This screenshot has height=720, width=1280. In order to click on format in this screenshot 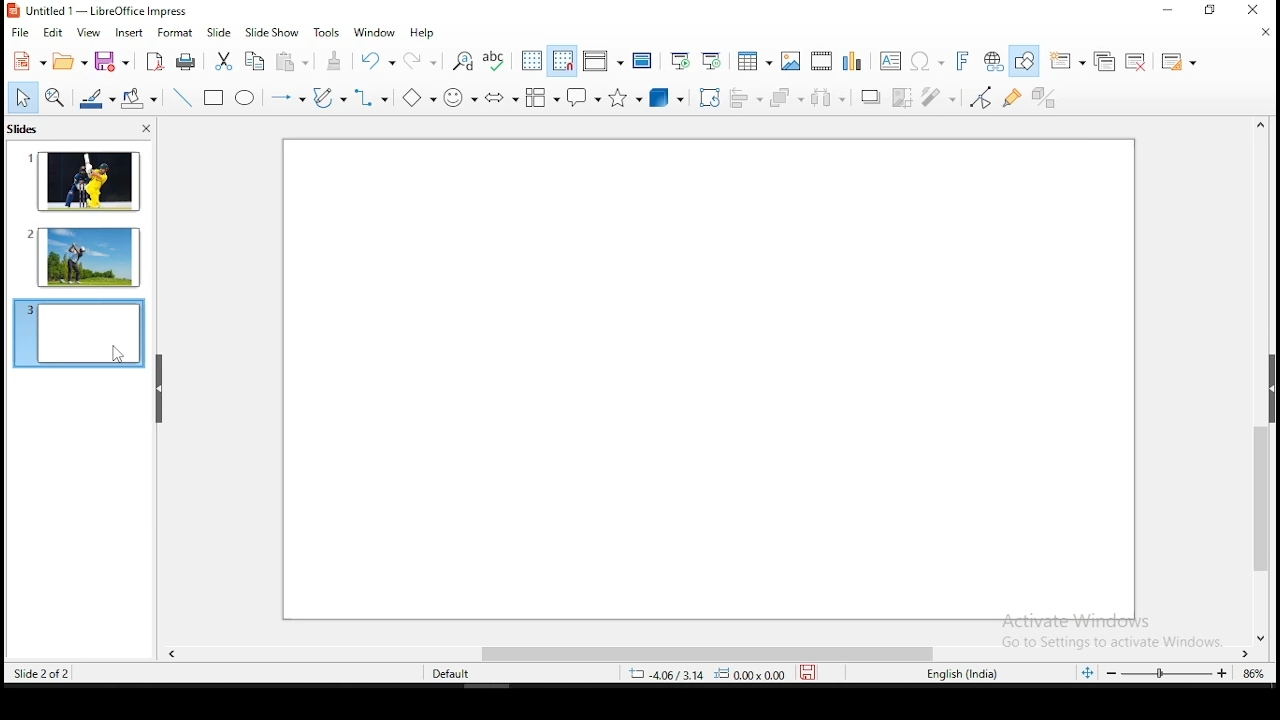, I will do `click(176, 35)`.